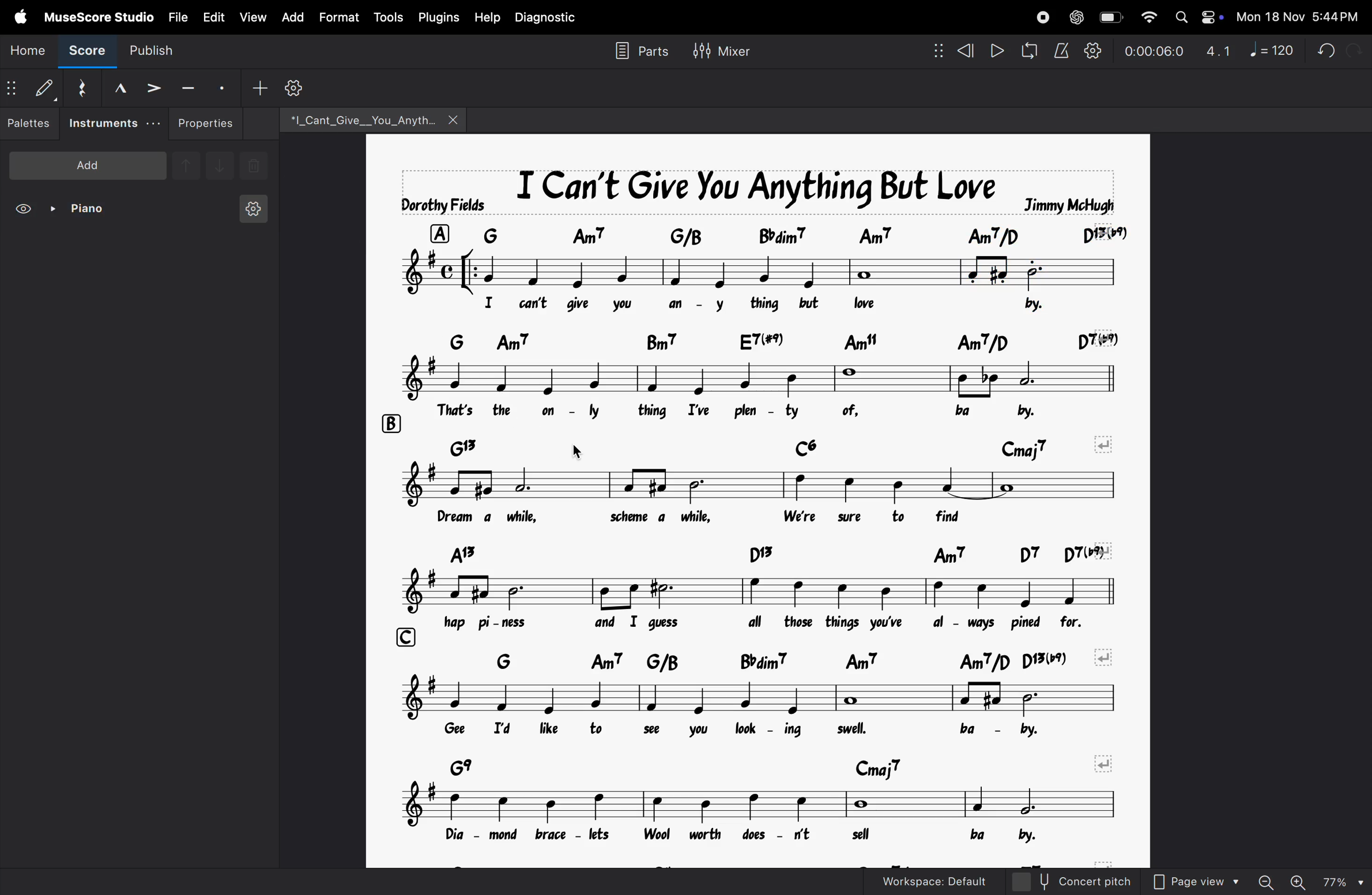 Image resolution: width=1372 pixels, height=895 pixels. I want to click on apple menu, so click(19, 18).